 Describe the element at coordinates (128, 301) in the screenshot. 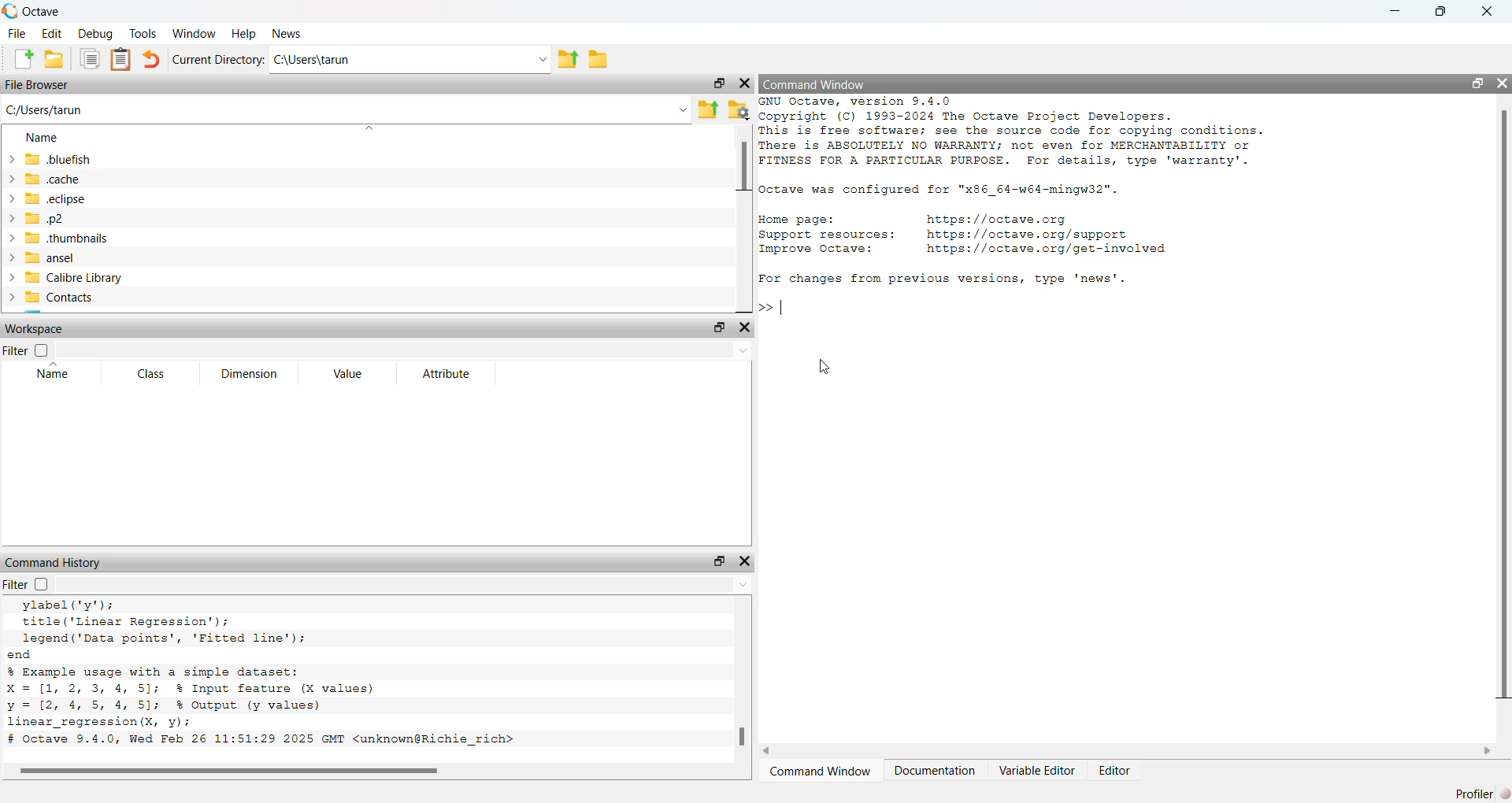

I see `contacts` at that location.